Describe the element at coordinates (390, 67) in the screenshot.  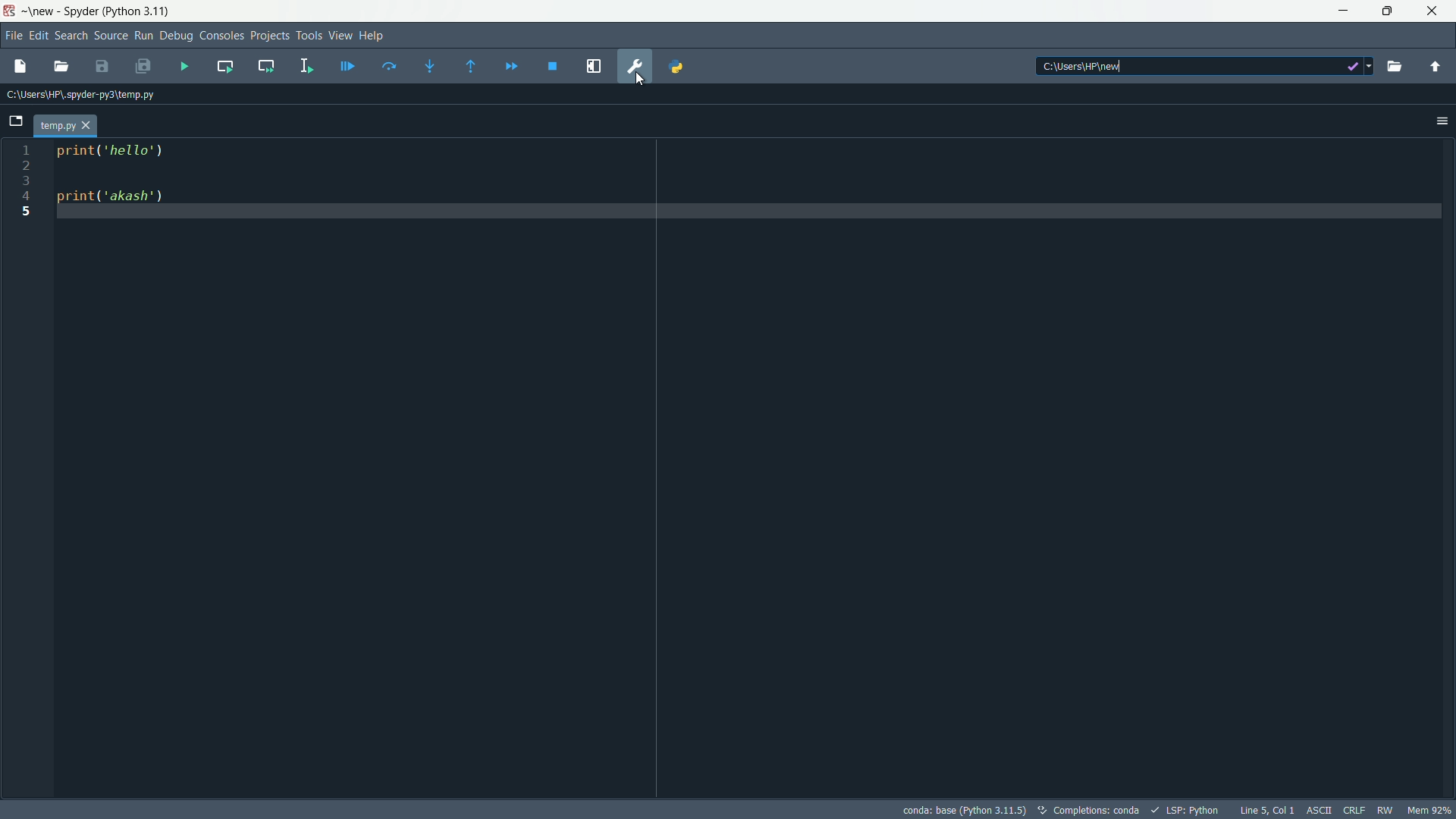
I see `run current line` at that location.